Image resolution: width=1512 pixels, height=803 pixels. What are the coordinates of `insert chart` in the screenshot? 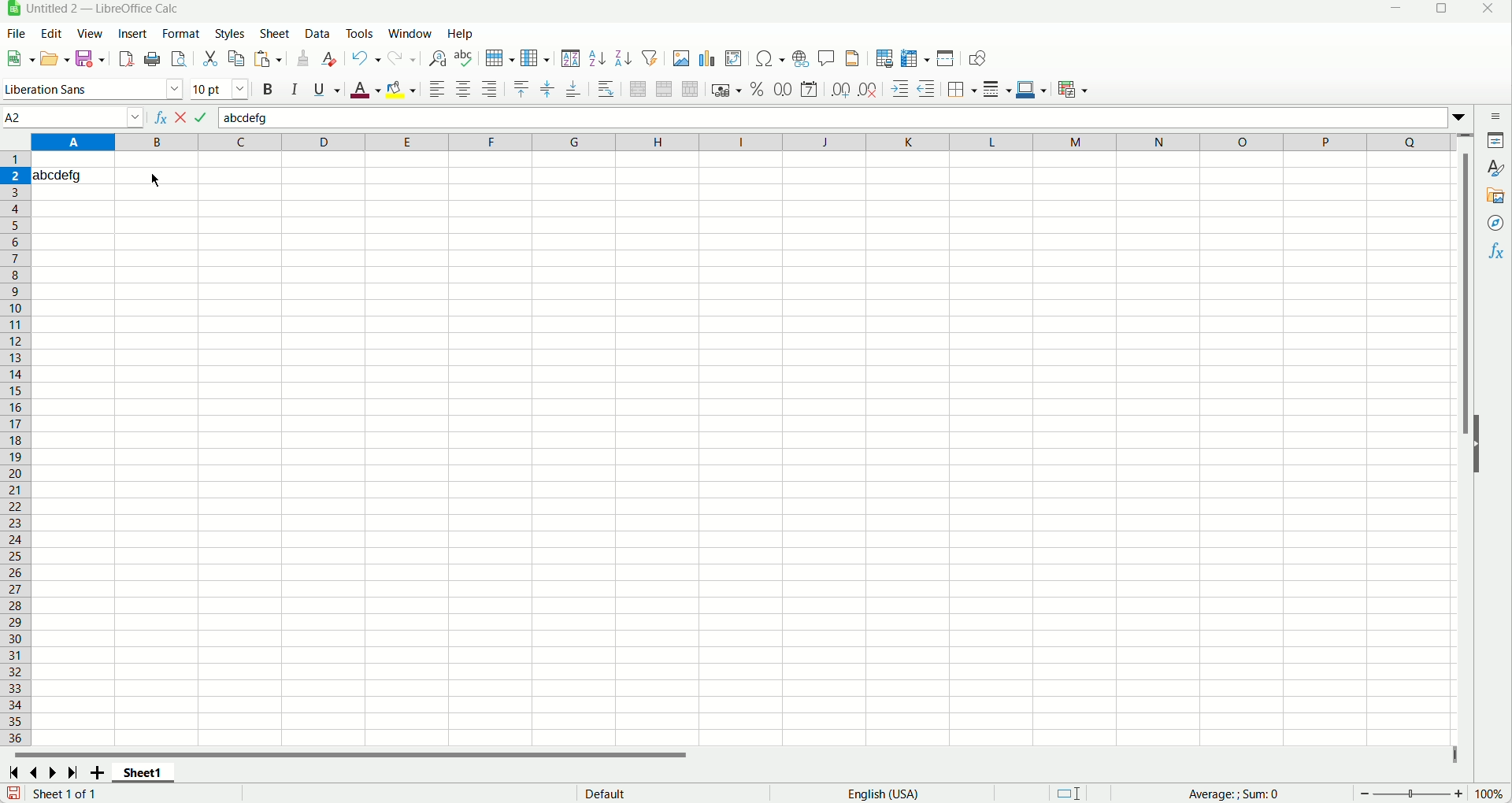 It's located at (706, 59).